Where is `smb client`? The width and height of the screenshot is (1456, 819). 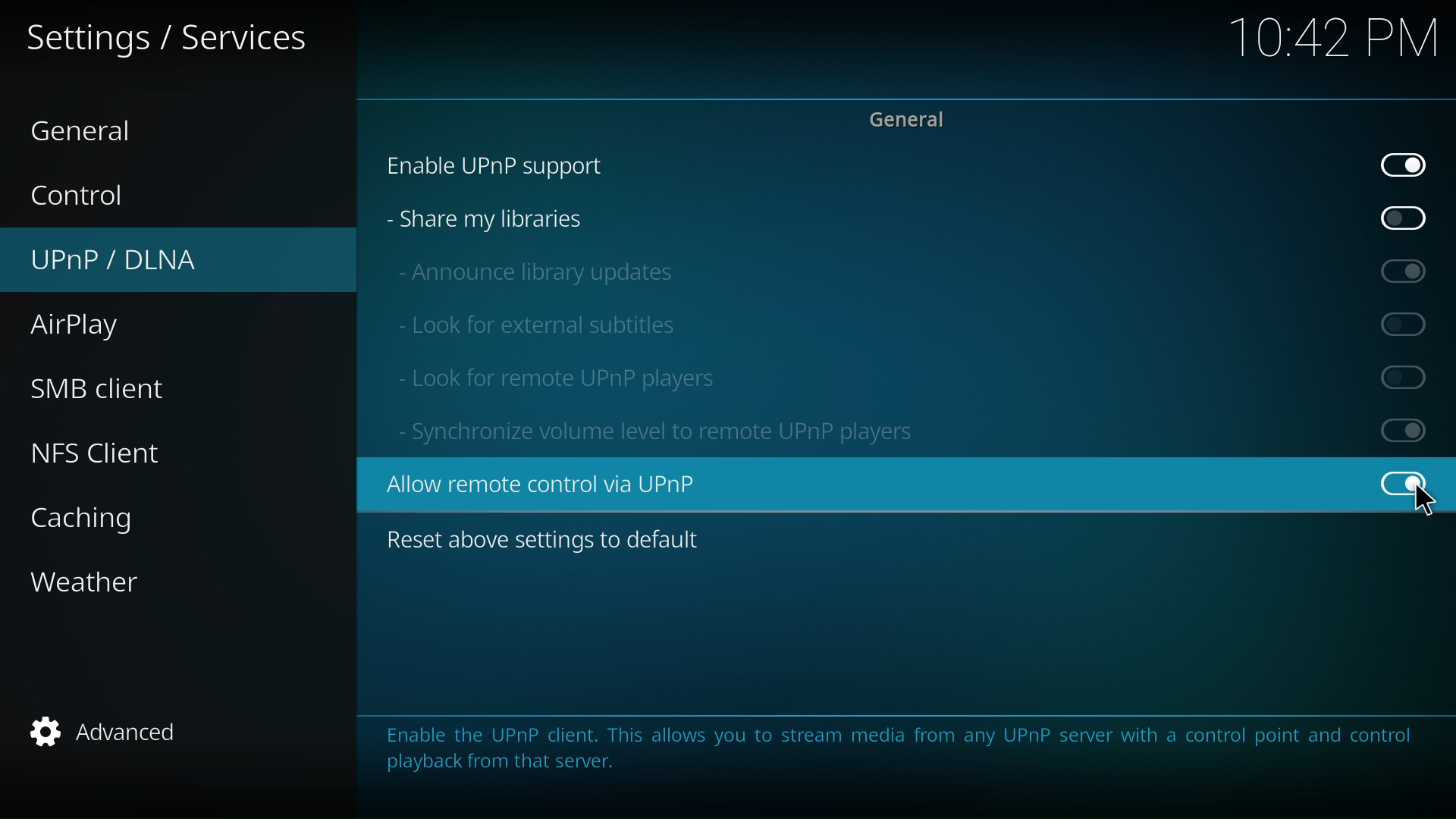 smb client is located at coordinates (100, 386).